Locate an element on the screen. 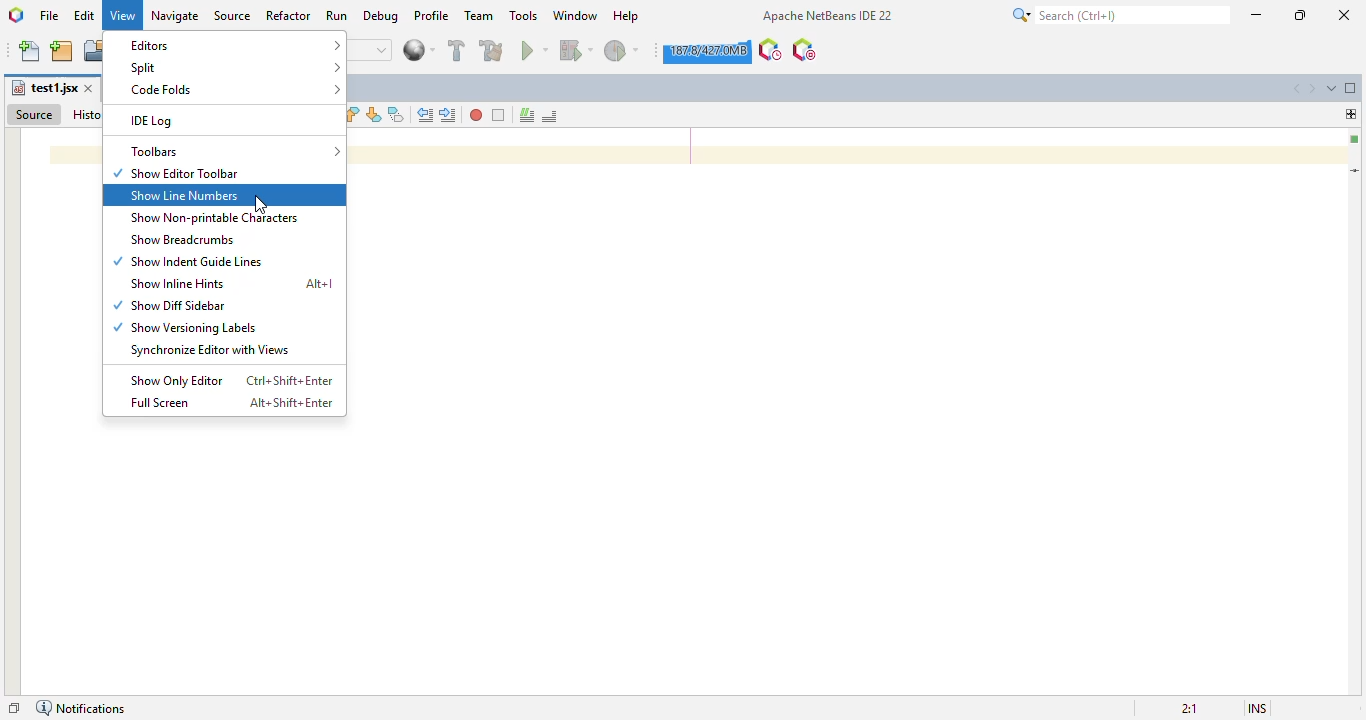 Image resolution: width=1366 pixels, height=720 pixels. profile the IDE is located at coordinates (771, 50).